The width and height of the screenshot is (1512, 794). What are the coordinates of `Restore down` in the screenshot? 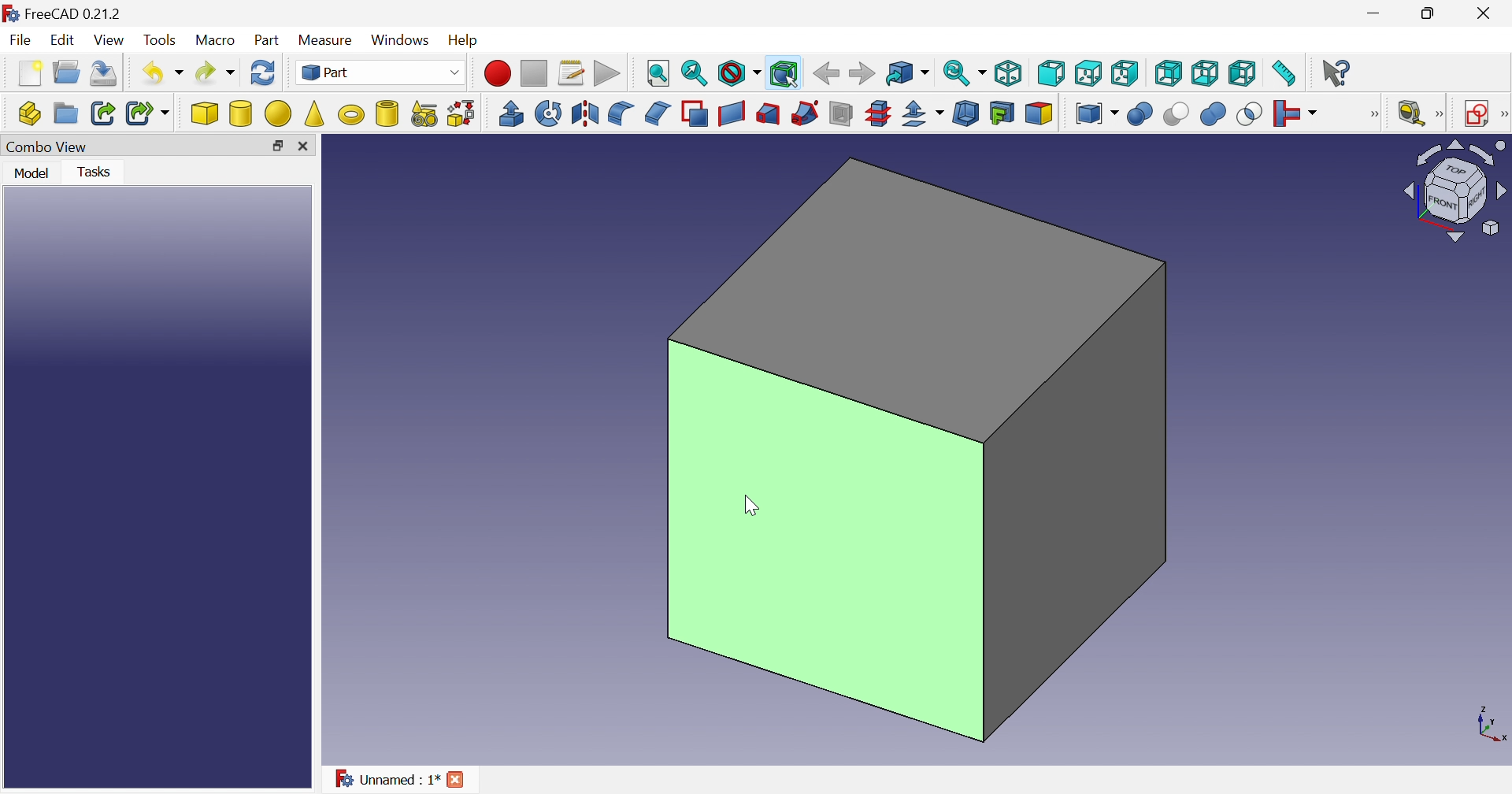 It's located at (1435, 13).